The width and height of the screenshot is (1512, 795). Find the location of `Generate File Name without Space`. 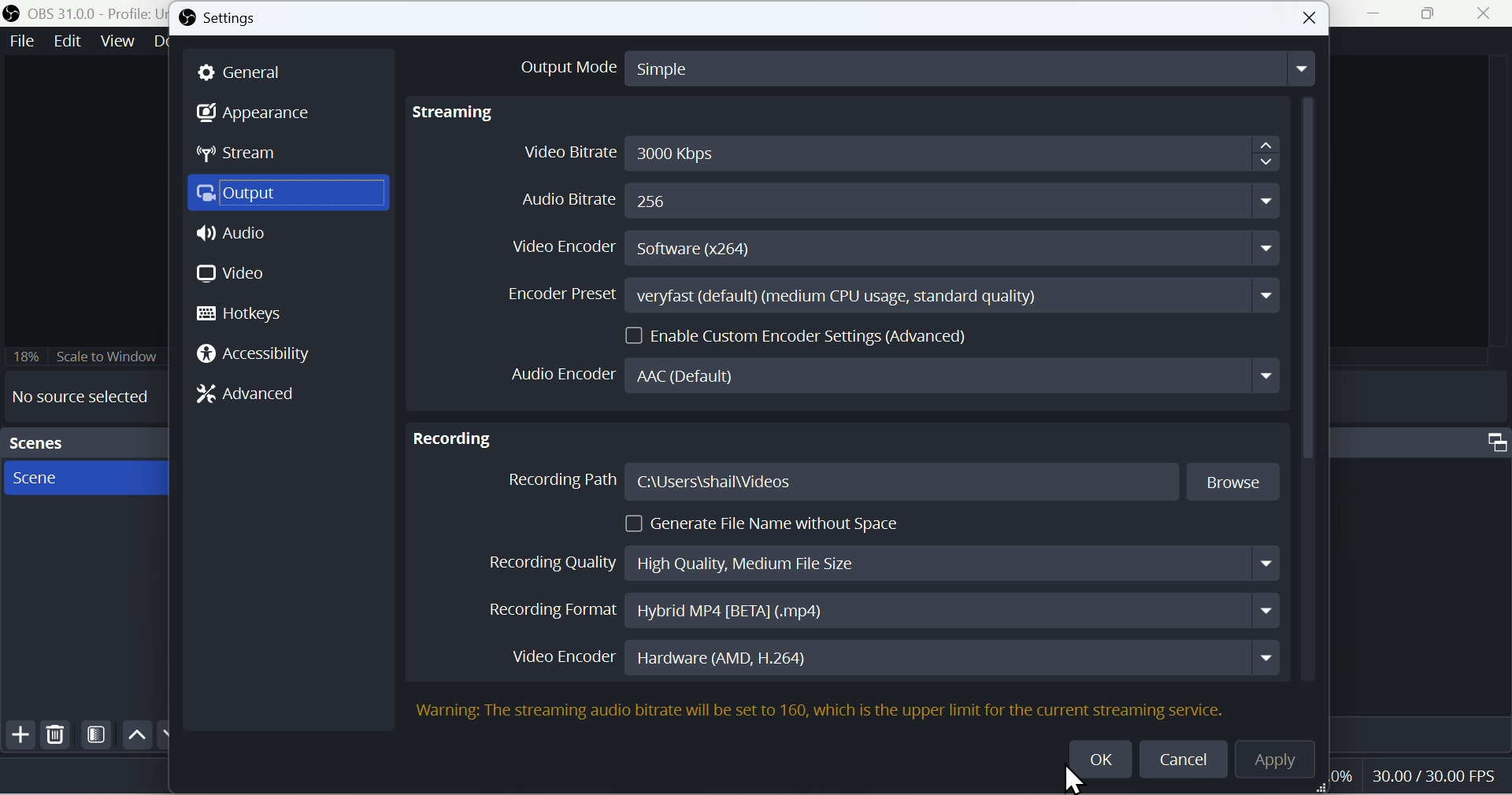

Generate File Name without Space is located at coordinates (768, 523).